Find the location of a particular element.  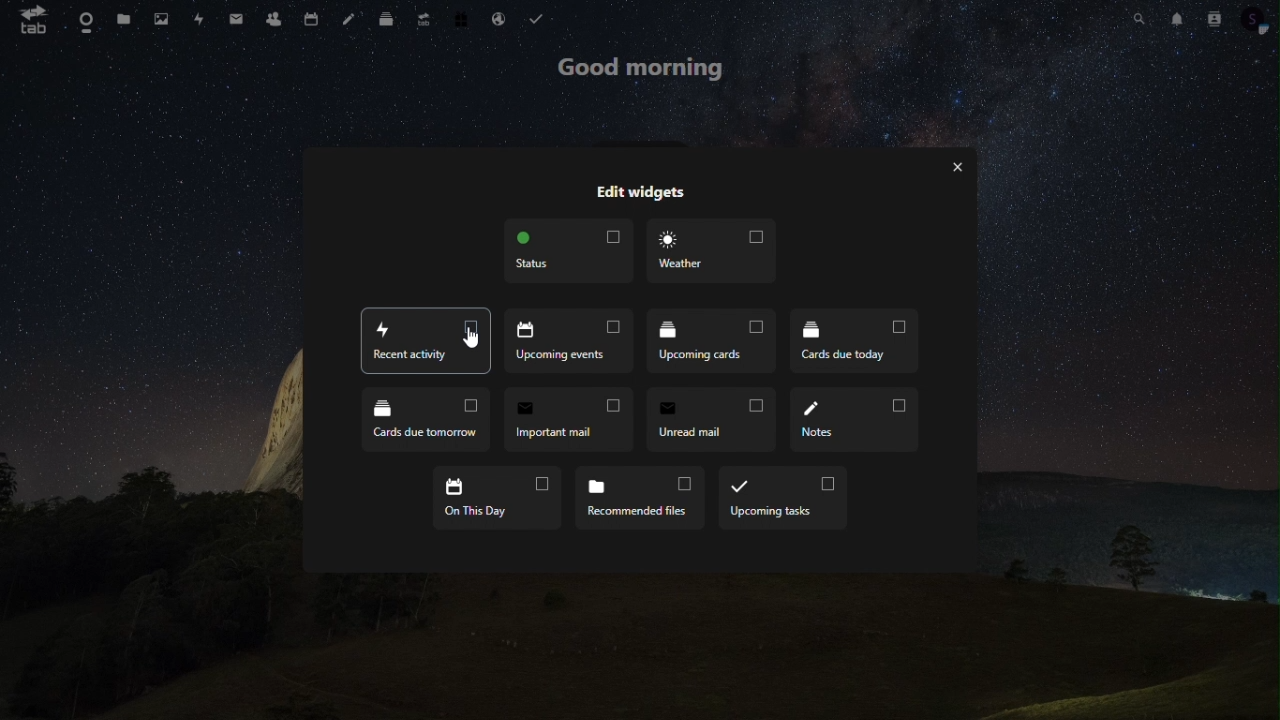

mail hosting is located at coordinates (502, 16).